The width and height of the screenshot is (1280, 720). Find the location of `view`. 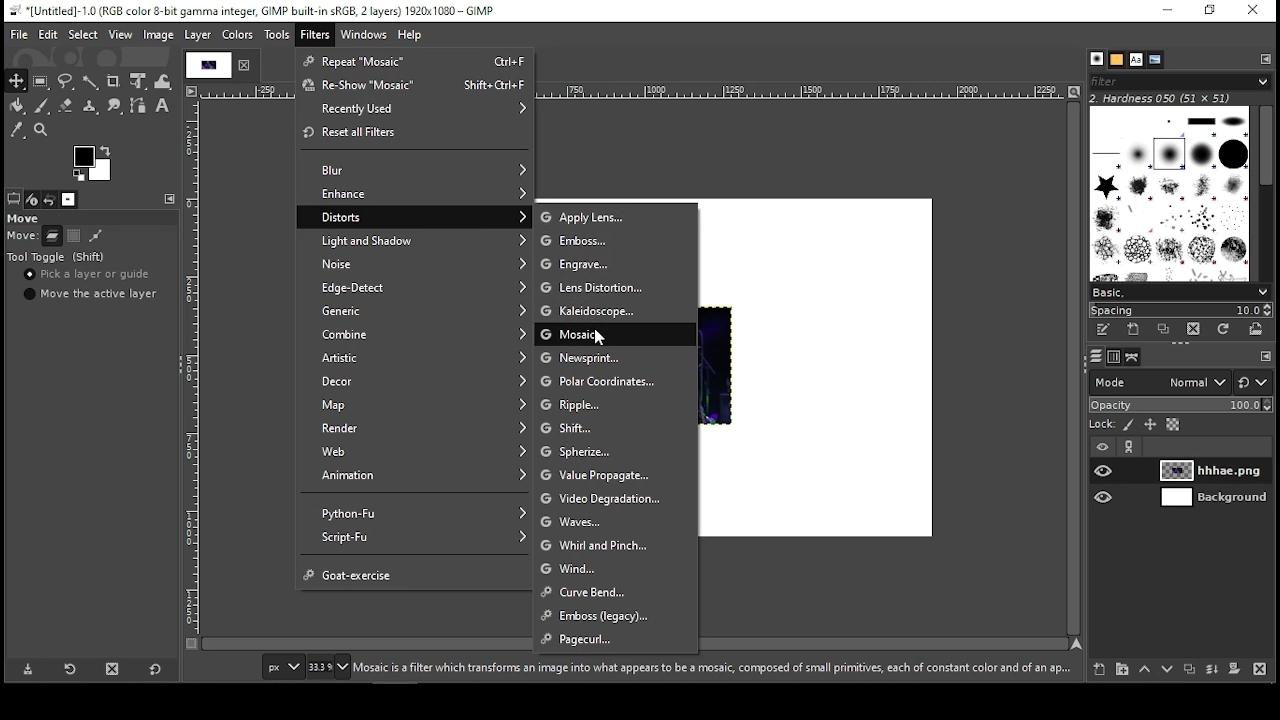

view is located at coordinates (122, 34).